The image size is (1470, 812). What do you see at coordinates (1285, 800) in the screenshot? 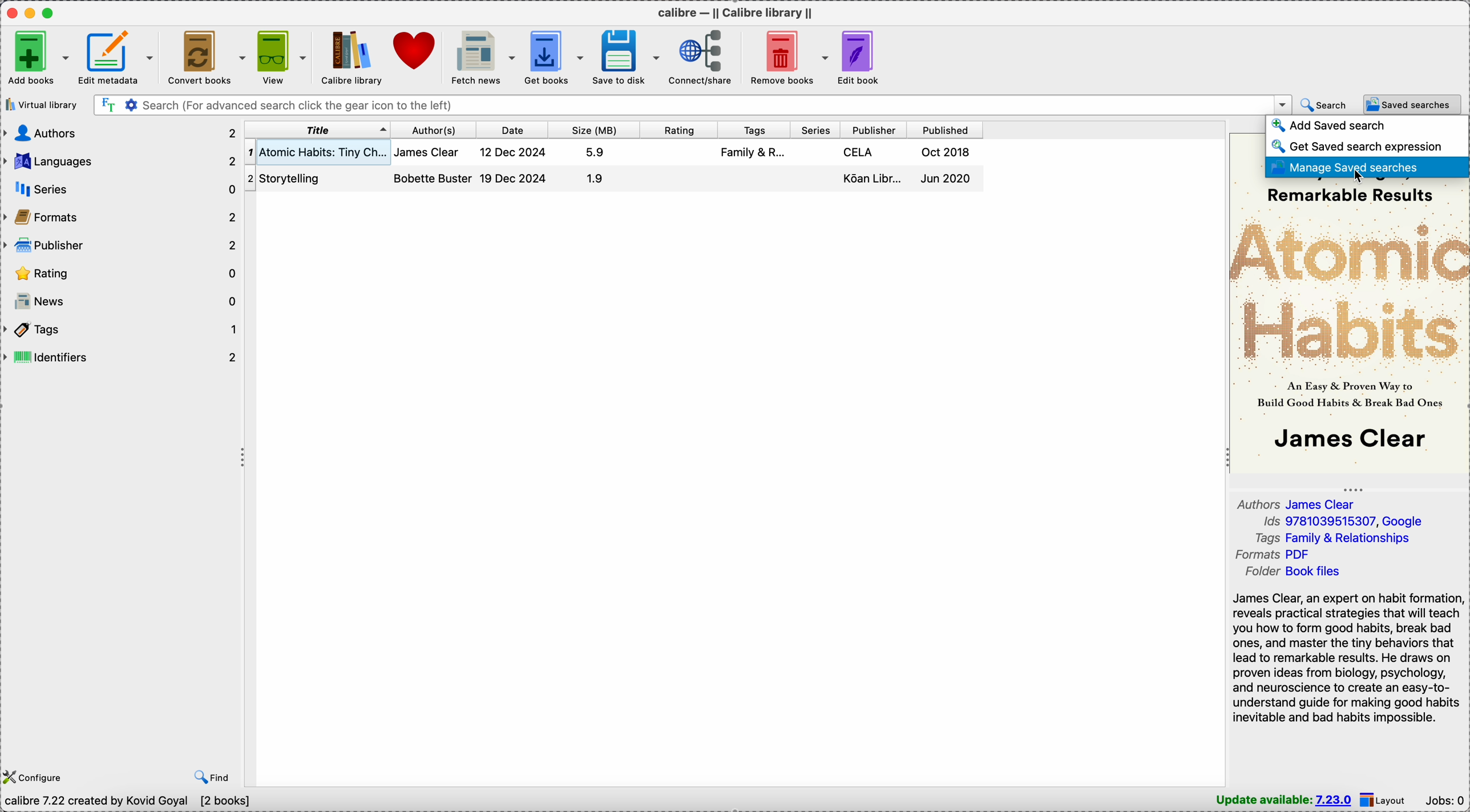
I see `update available` at bounding box center [1285, 800].